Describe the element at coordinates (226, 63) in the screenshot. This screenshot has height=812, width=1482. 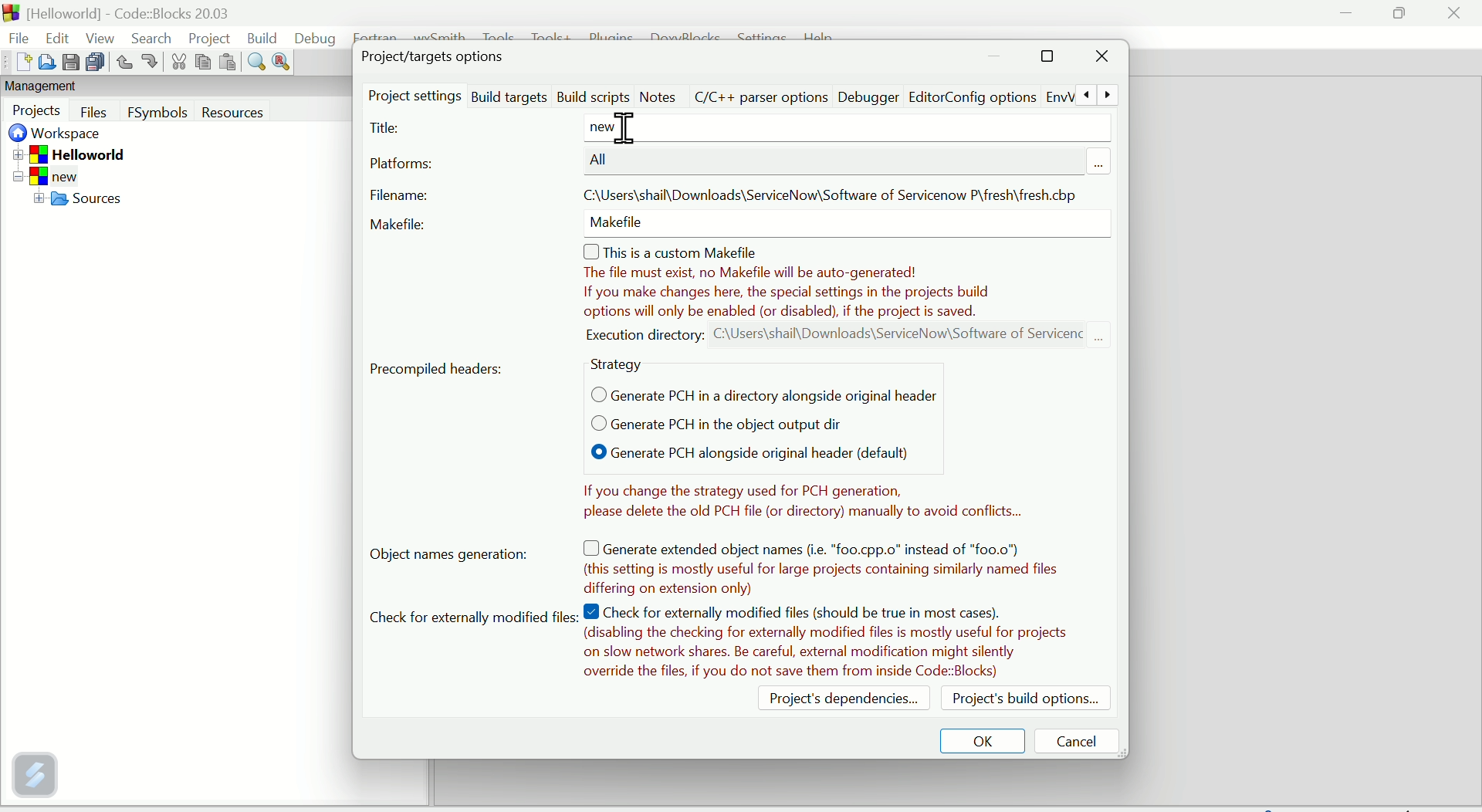
I see `Paste` at that location.